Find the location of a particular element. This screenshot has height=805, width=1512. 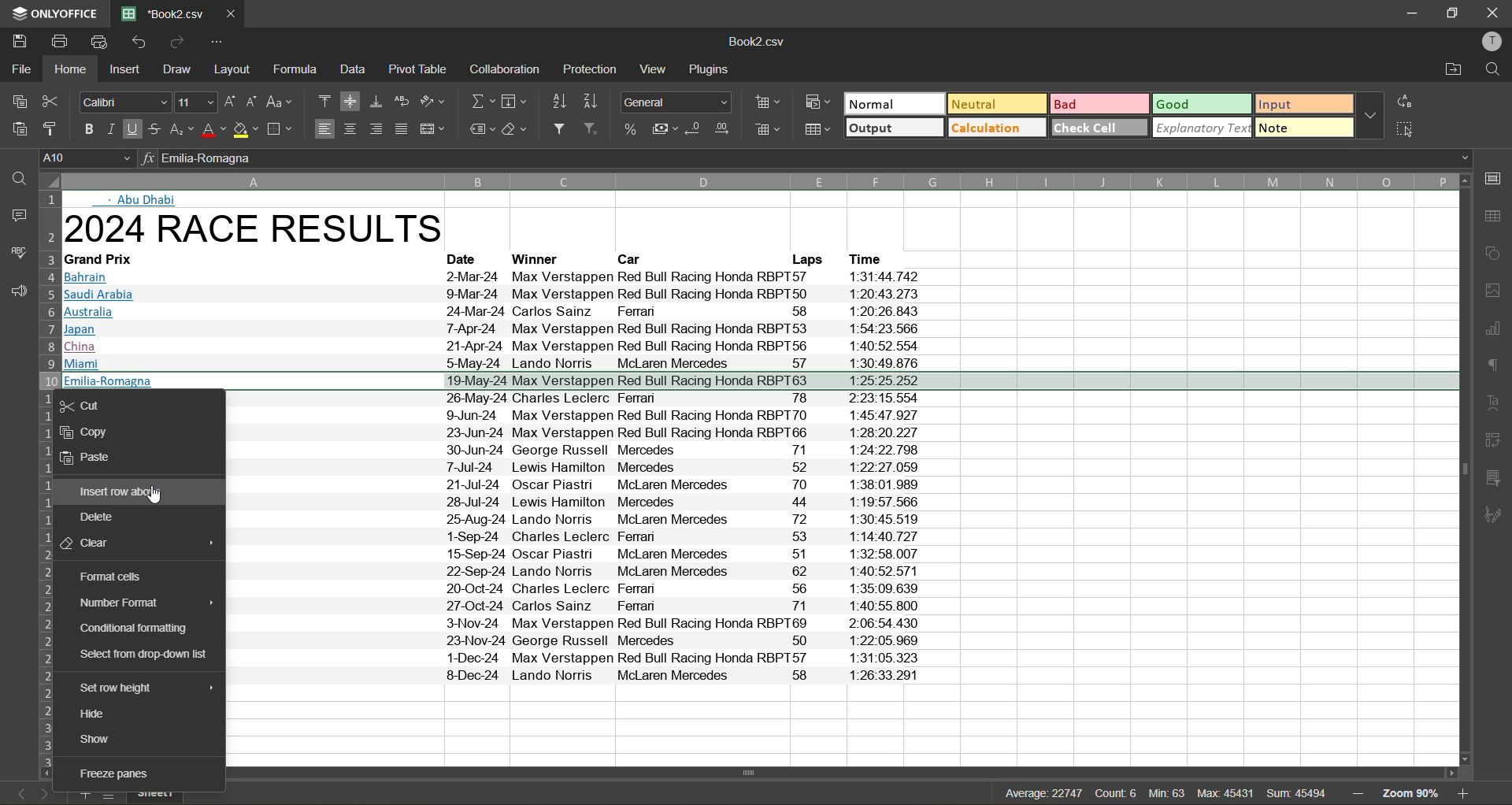

show is located at coordinates (97, 740).